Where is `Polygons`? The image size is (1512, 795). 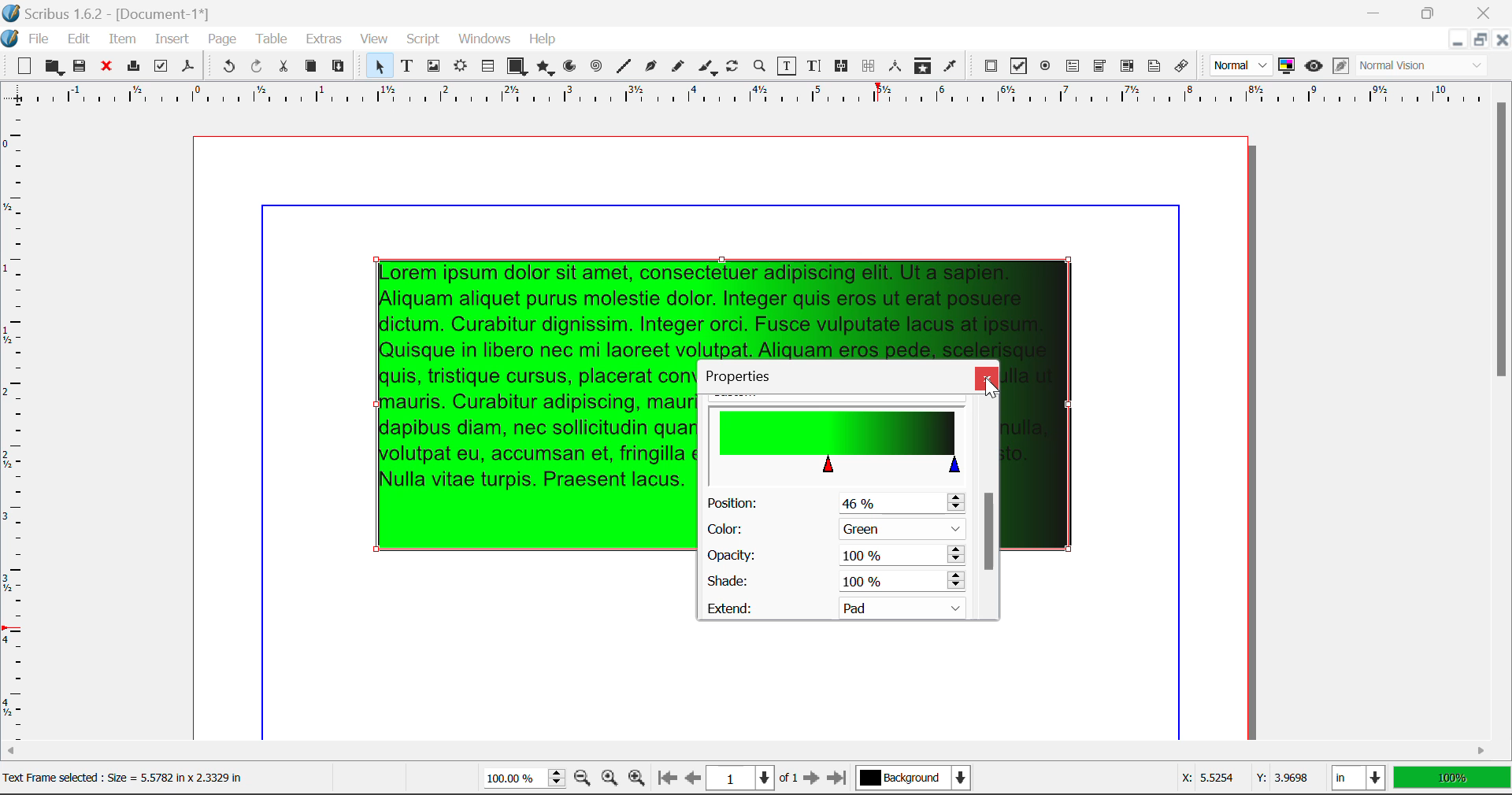
Polygons is located at coordinates (545, 69).